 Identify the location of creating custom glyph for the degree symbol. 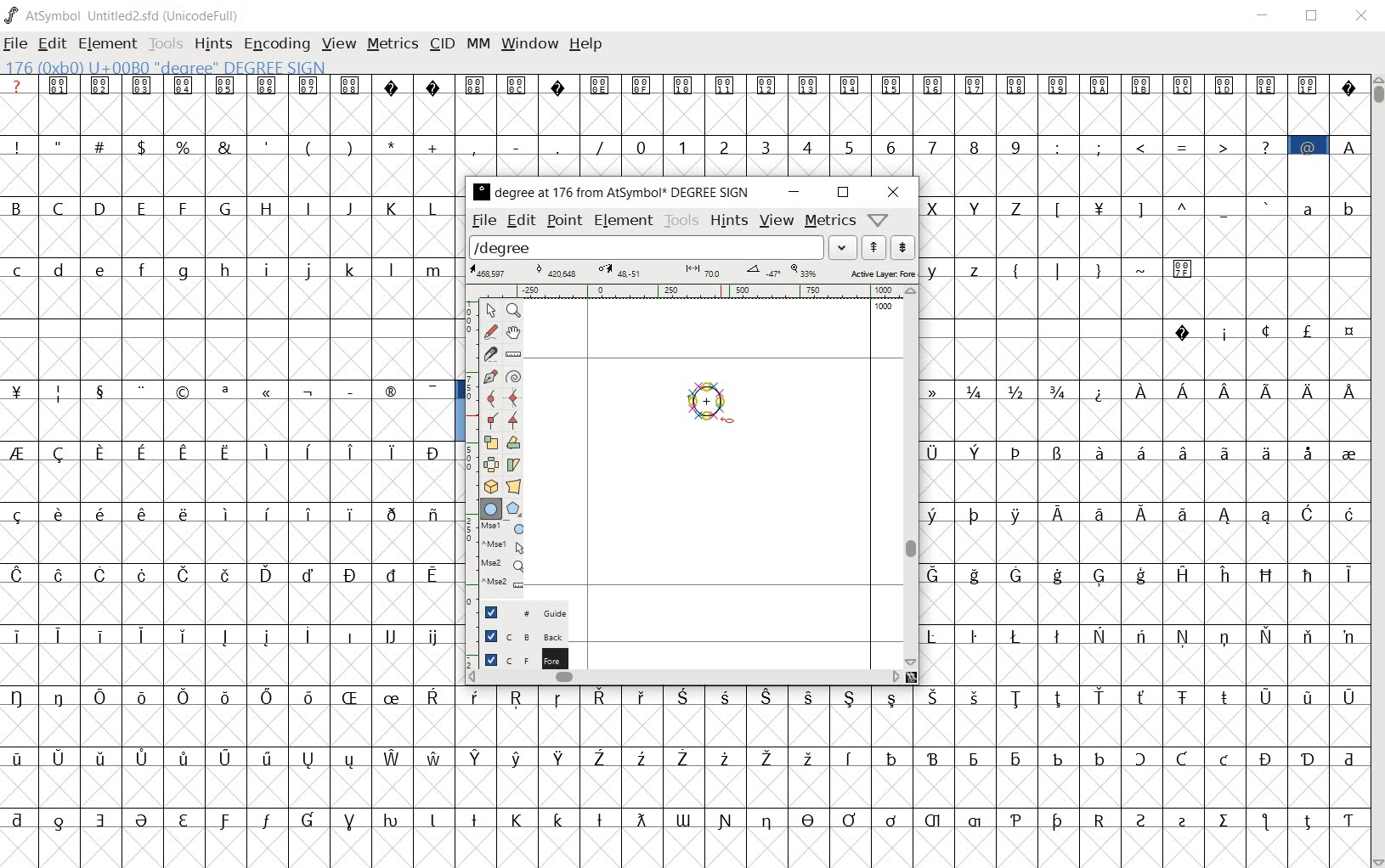
(711, 405).